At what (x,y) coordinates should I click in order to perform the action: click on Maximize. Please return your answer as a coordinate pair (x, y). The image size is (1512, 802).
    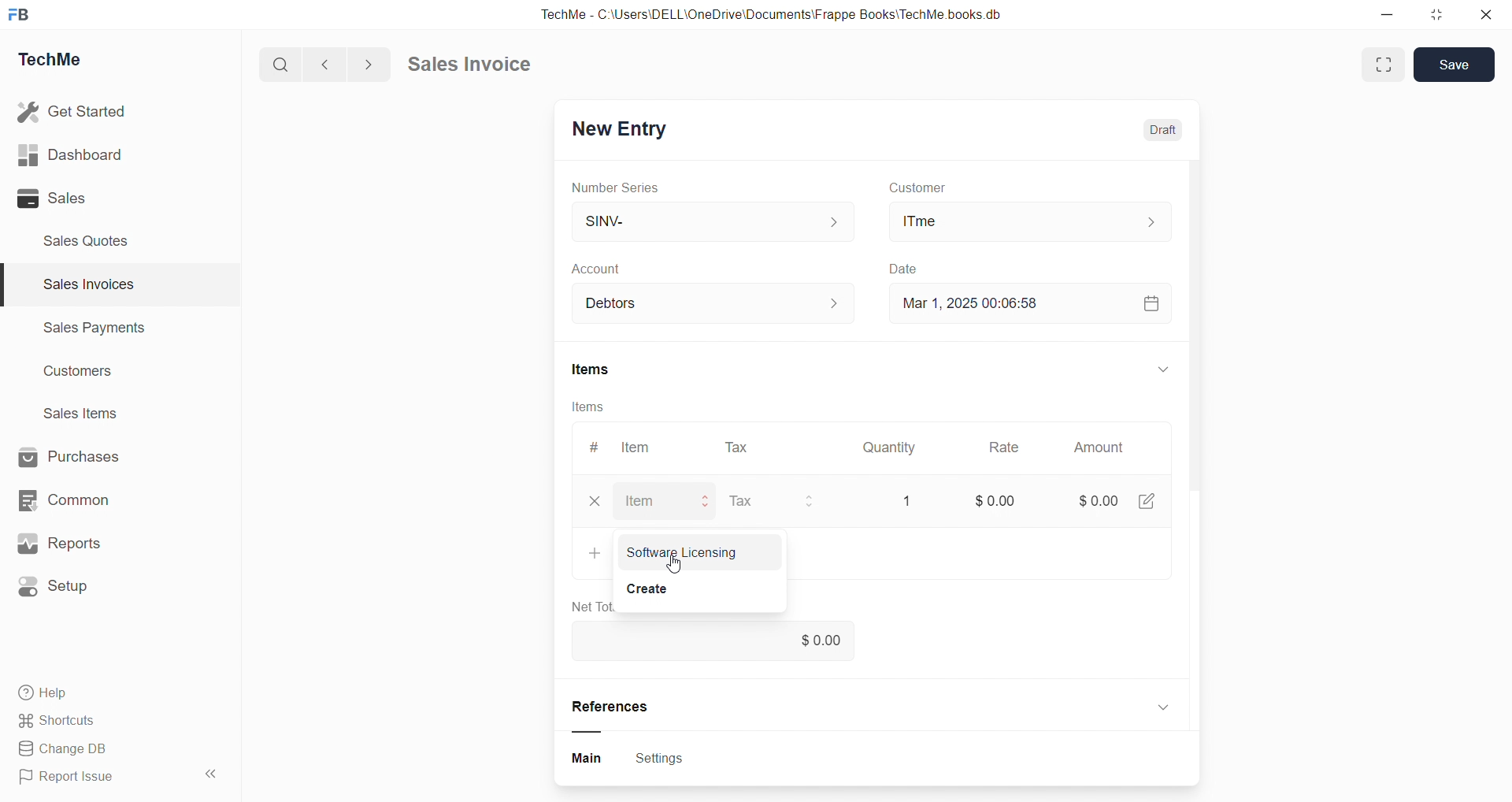
    Looking at the image, I should click on (1443, 13).